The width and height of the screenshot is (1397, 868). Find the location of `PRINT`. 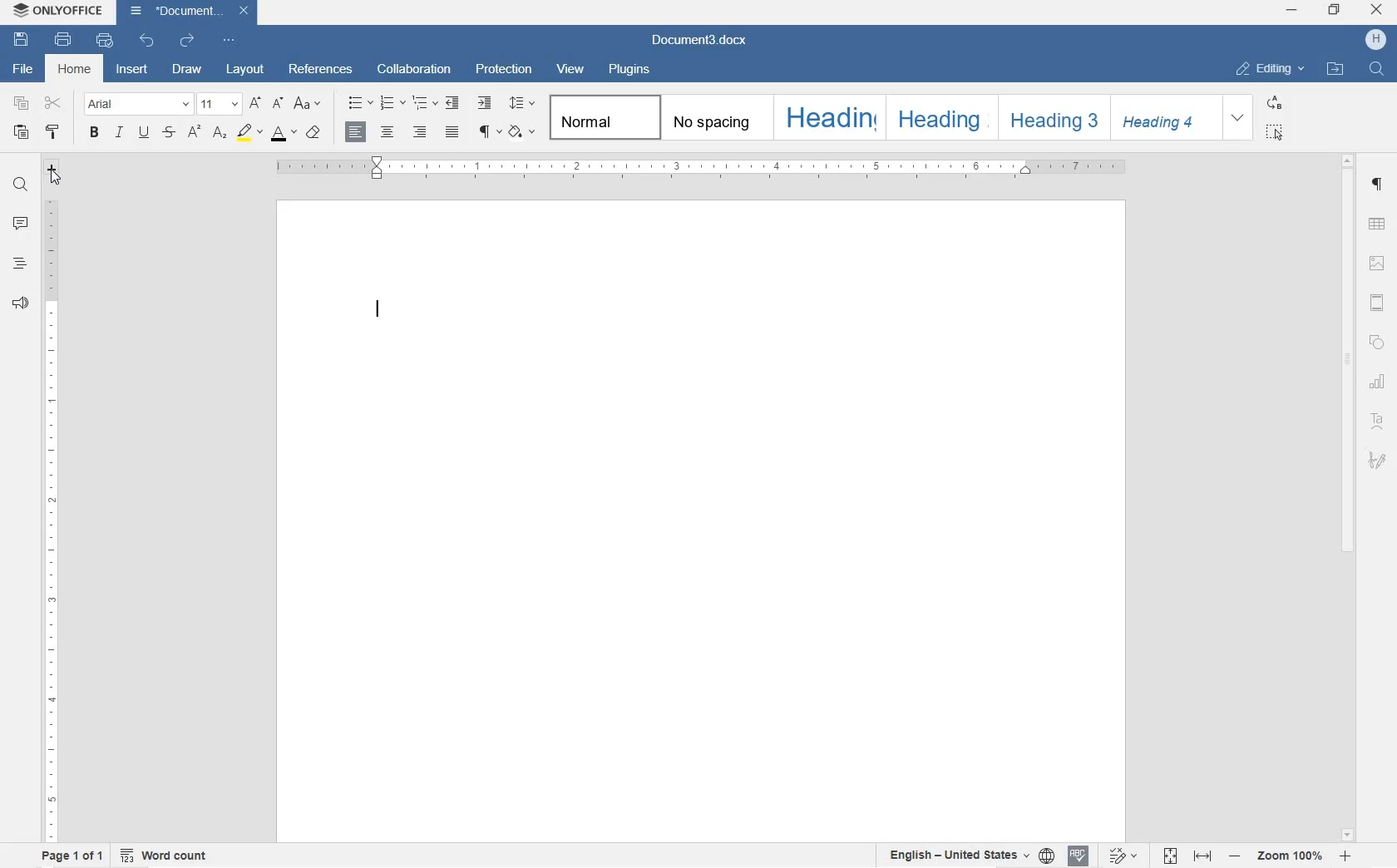

PRINT is located at coordinates (62, 40).